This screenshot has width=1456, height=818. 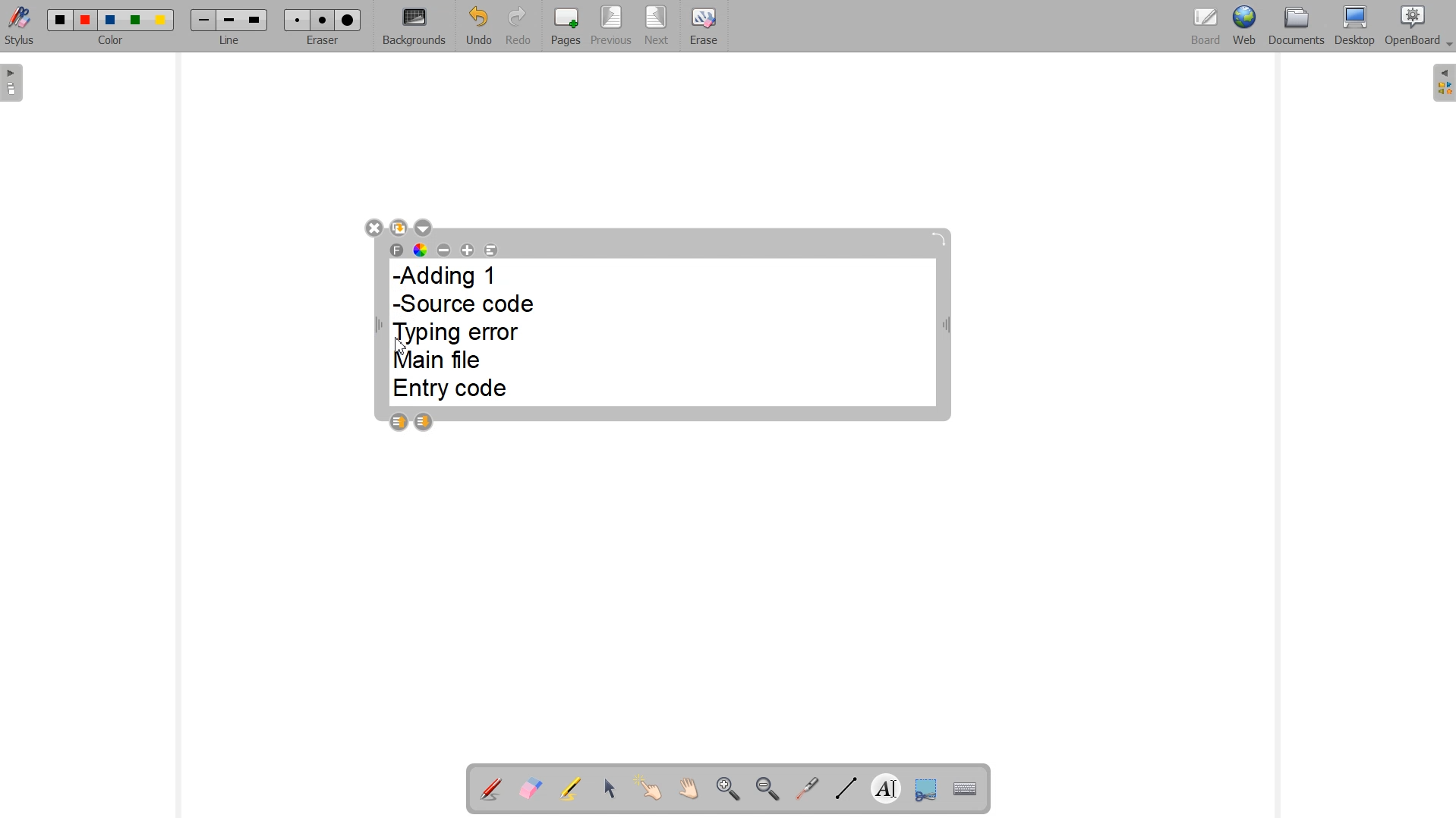 What do you see at coordinates (966, 787) in the screenshot?
I see `Display virtual keyboard ` at bounding box center [966, 787].